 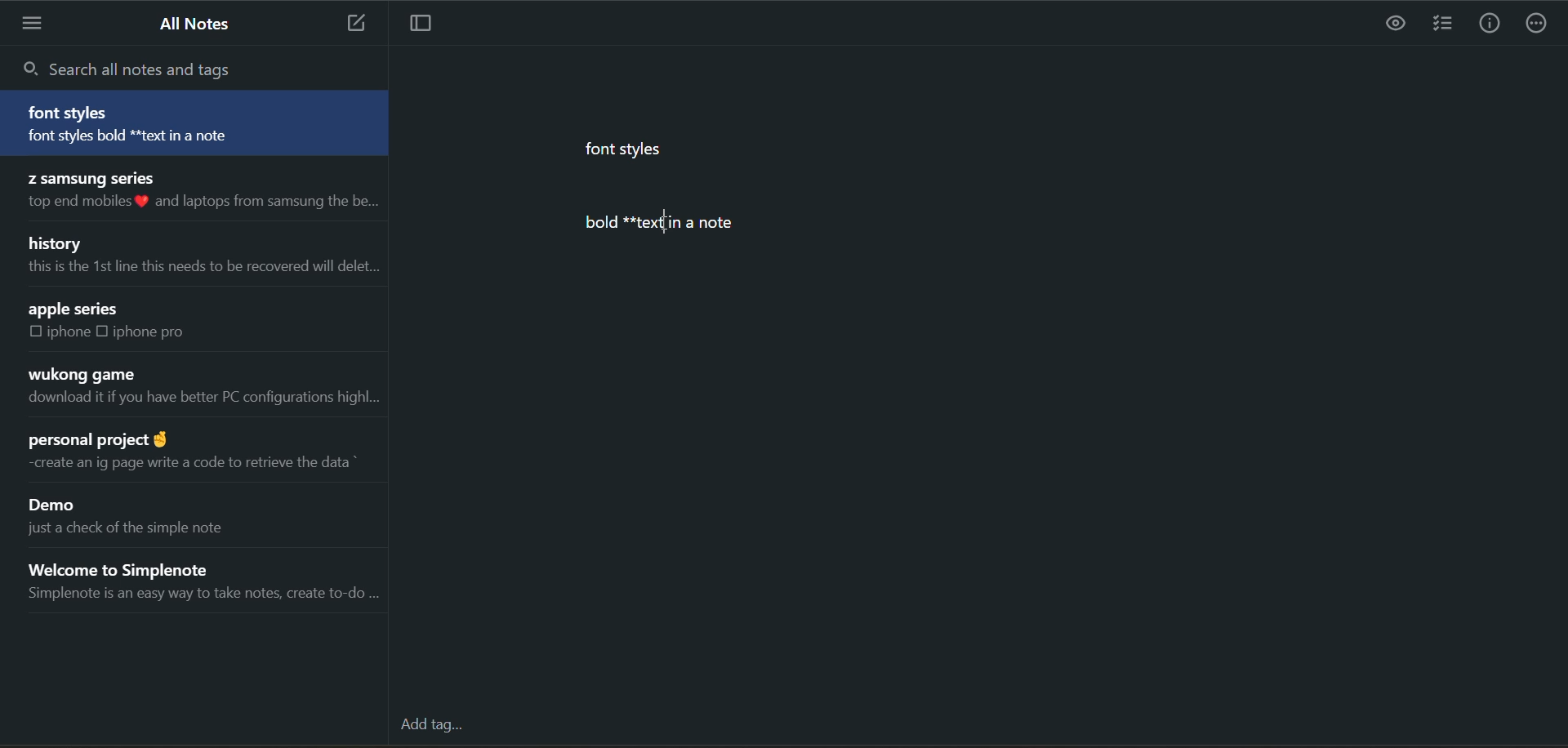 I want to click on download it if you have better PC configurations highl..., so click(x=202, y=401).